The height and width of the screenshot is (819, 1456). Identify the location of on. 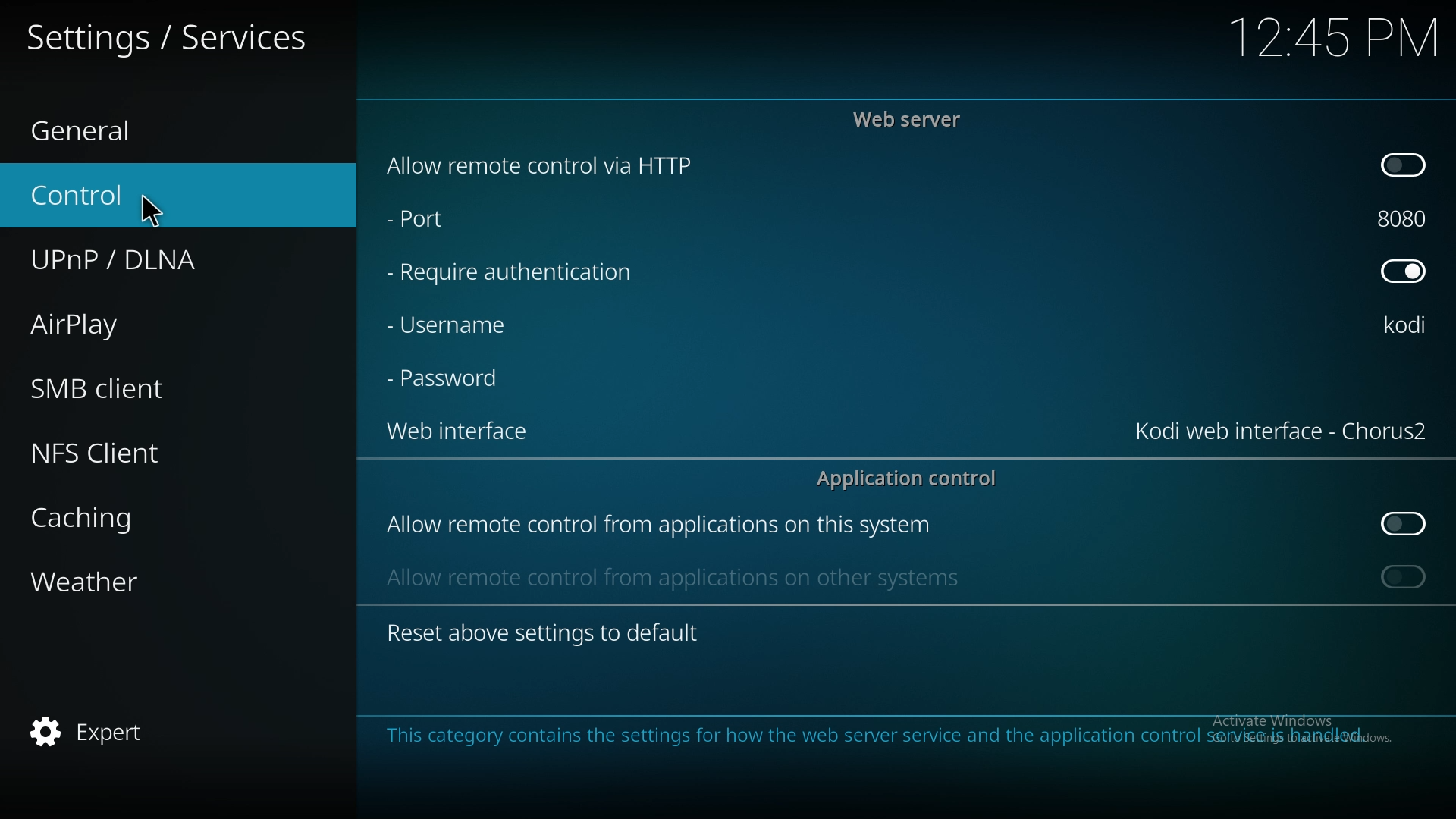
(1404, 576).